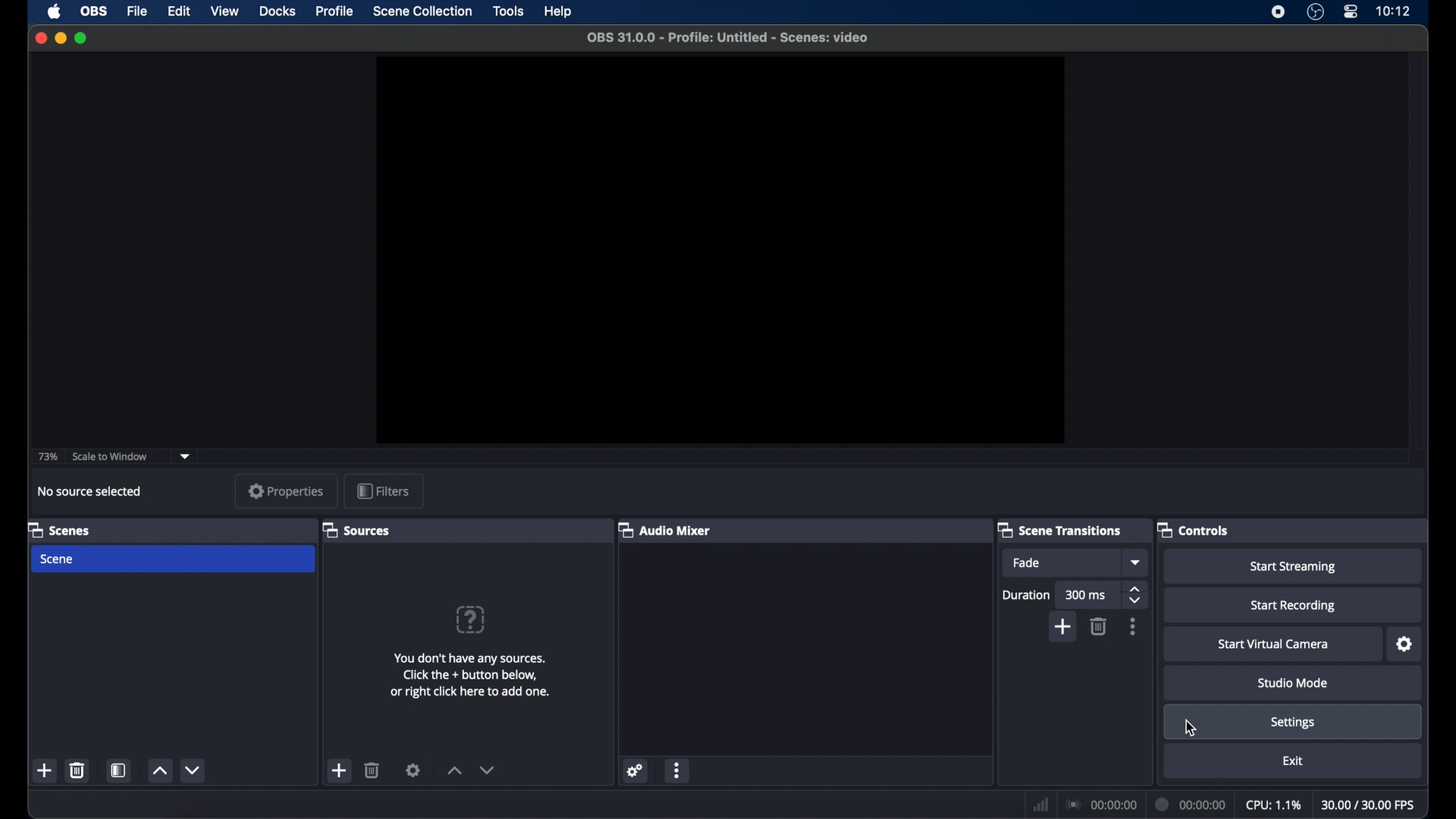 The width and height of the screenshot is (1456, 819). What do you see at coordinates (77, 771) in the screenshot?
I see `delete` at bounding box center [77, 771].